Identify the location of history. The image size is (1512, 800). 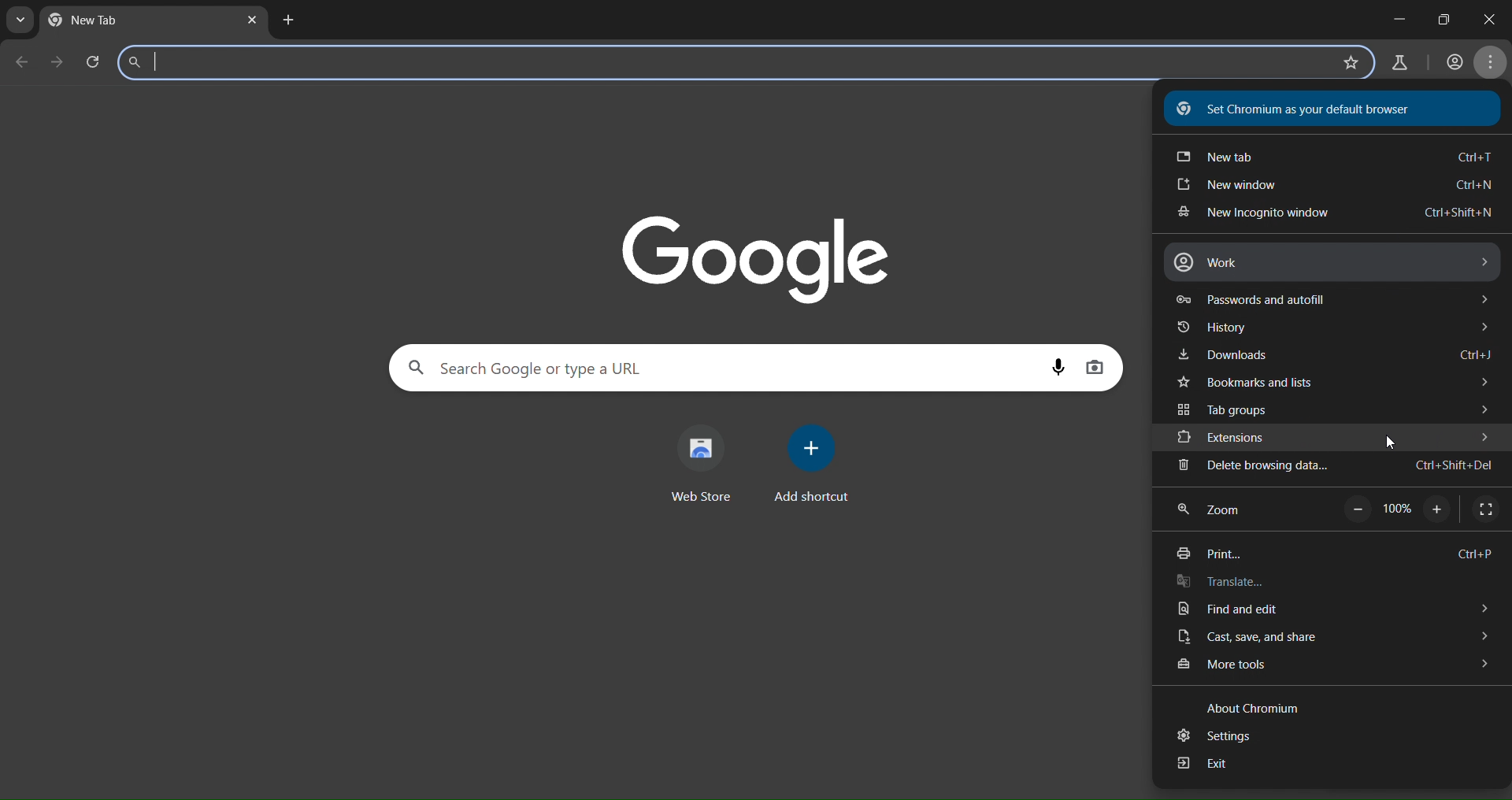
(1336, 328).